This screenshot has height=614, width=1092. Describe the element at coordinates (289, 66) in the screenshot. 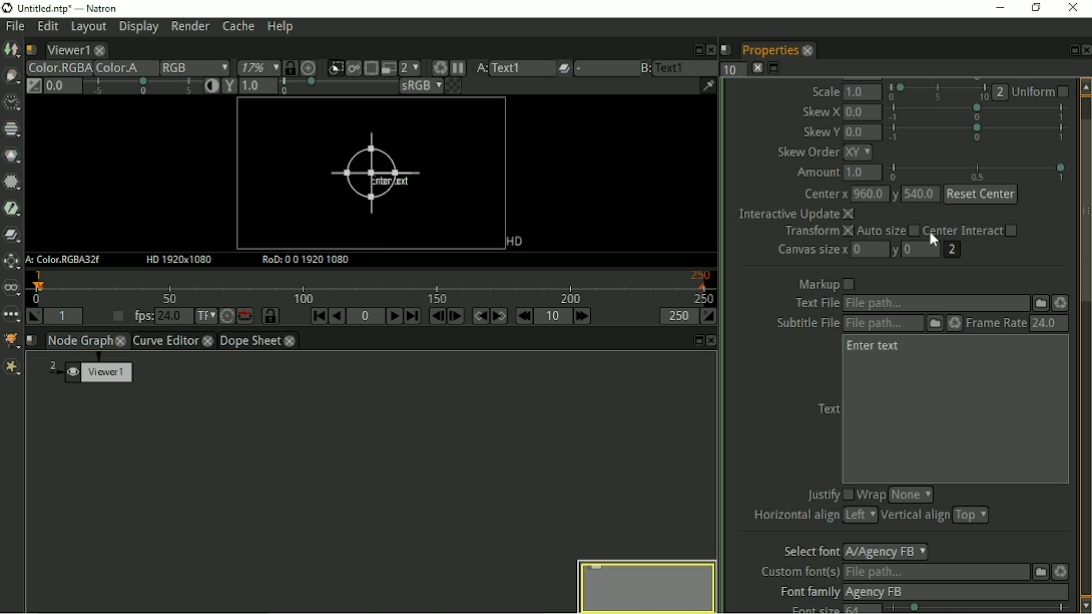

I see `Synchronize viewers` at that location.